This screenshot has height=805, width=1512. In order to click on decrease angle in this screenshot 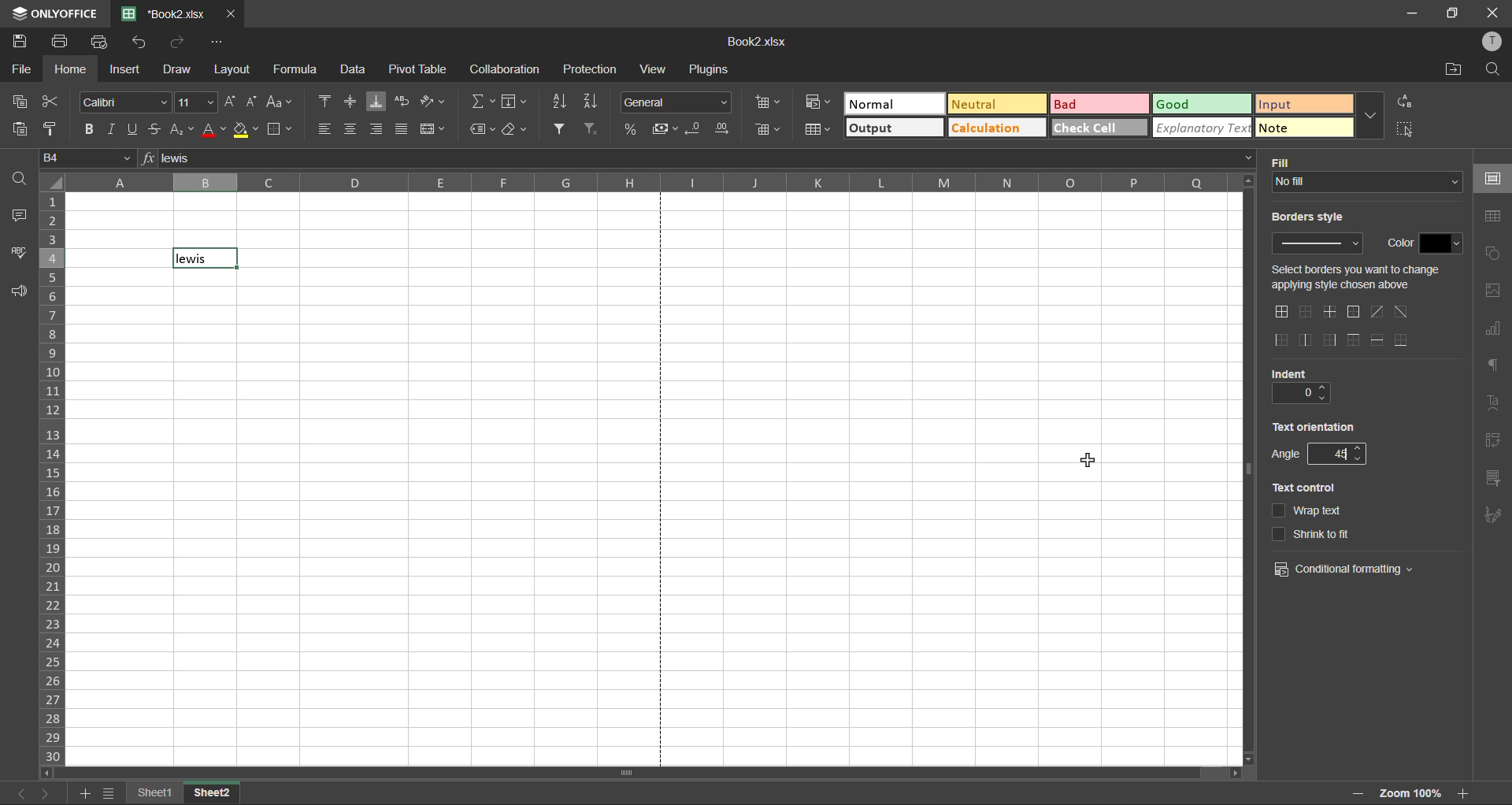, I will do `click(1361, 460)`.